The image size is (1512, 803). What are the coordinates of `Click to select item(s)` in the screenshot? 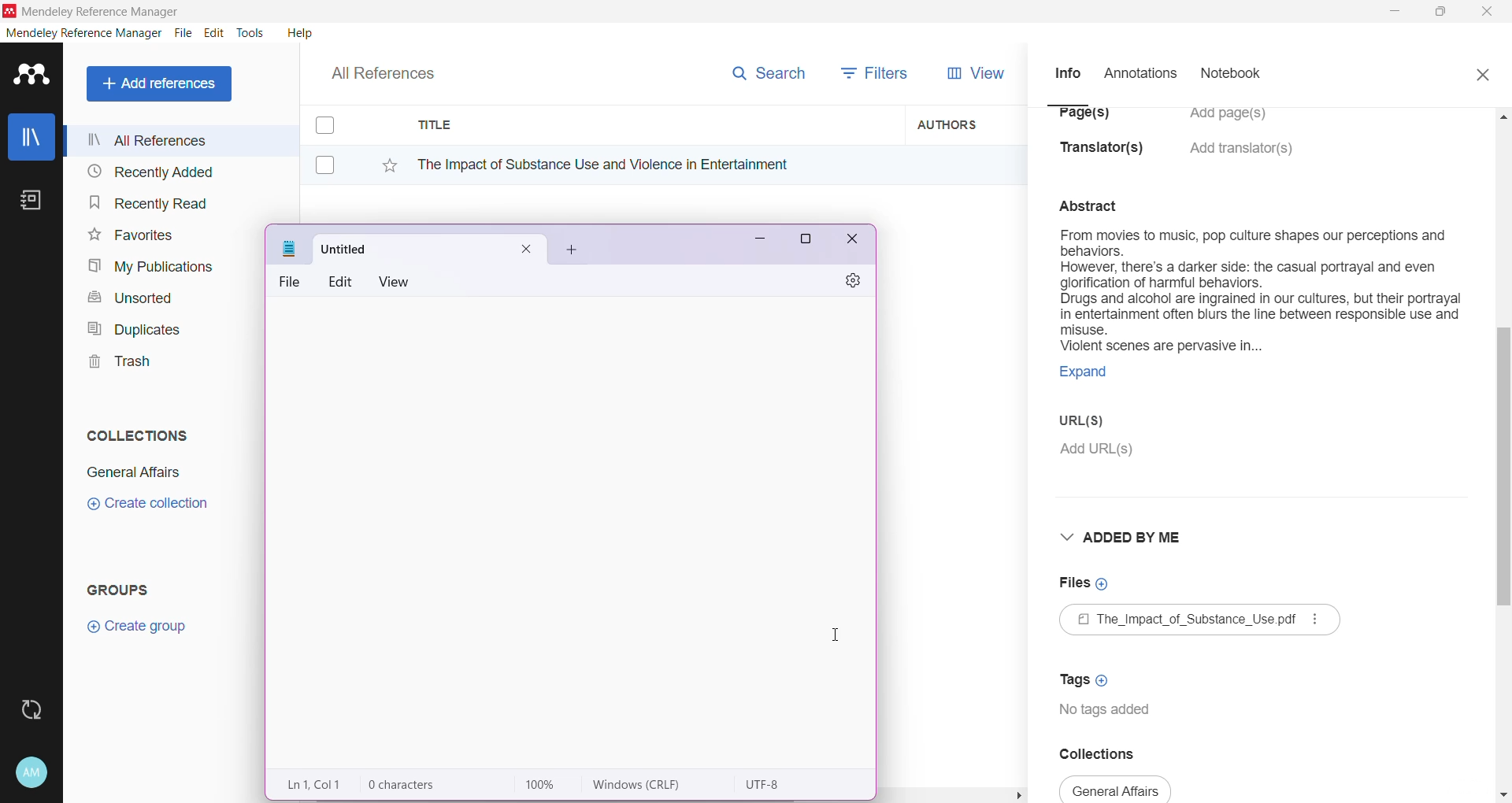 It's located at (333, 144).